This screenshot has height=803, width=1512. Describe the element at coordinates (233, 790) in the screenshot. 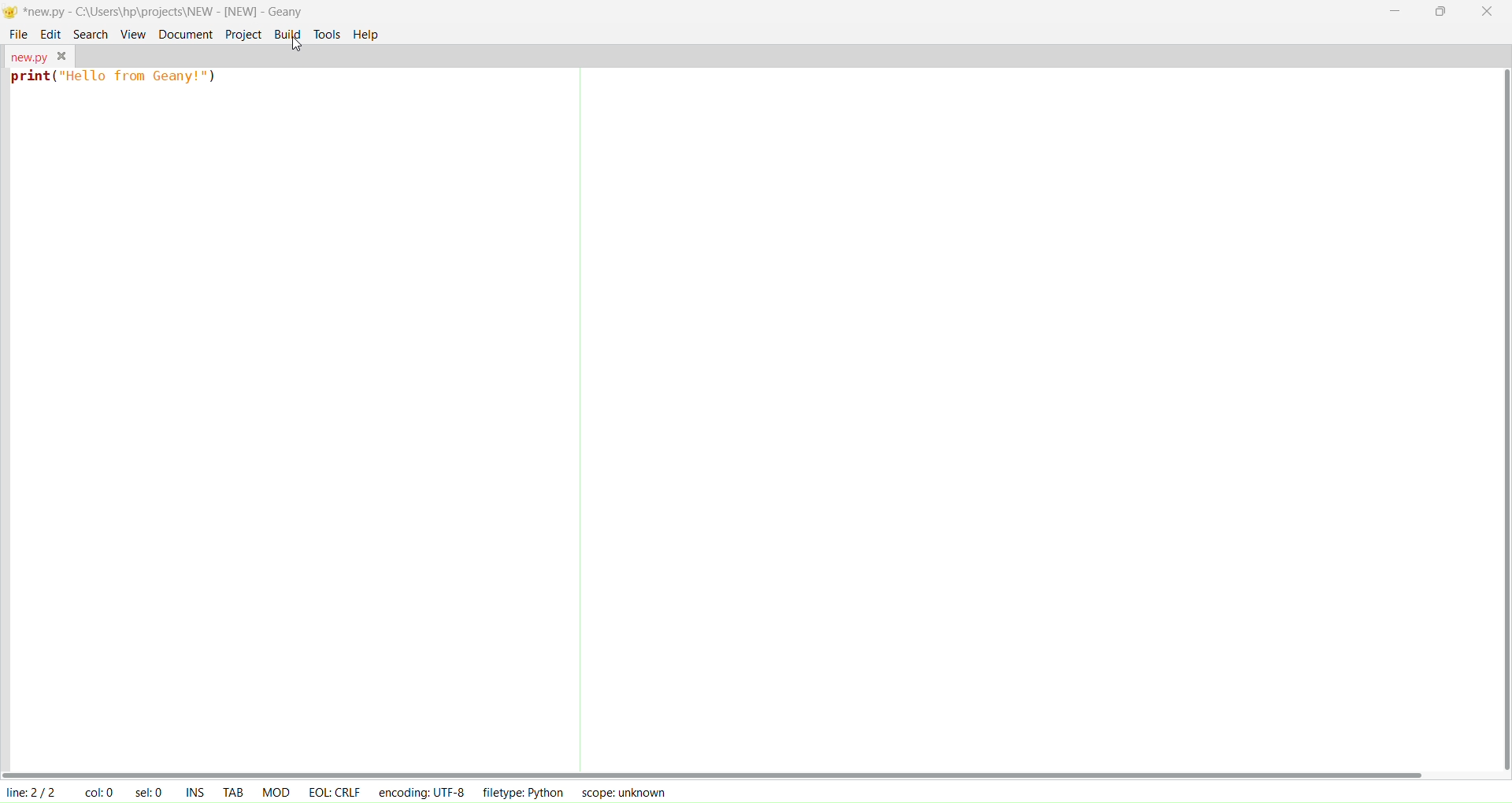

I see `TAB` at that location.